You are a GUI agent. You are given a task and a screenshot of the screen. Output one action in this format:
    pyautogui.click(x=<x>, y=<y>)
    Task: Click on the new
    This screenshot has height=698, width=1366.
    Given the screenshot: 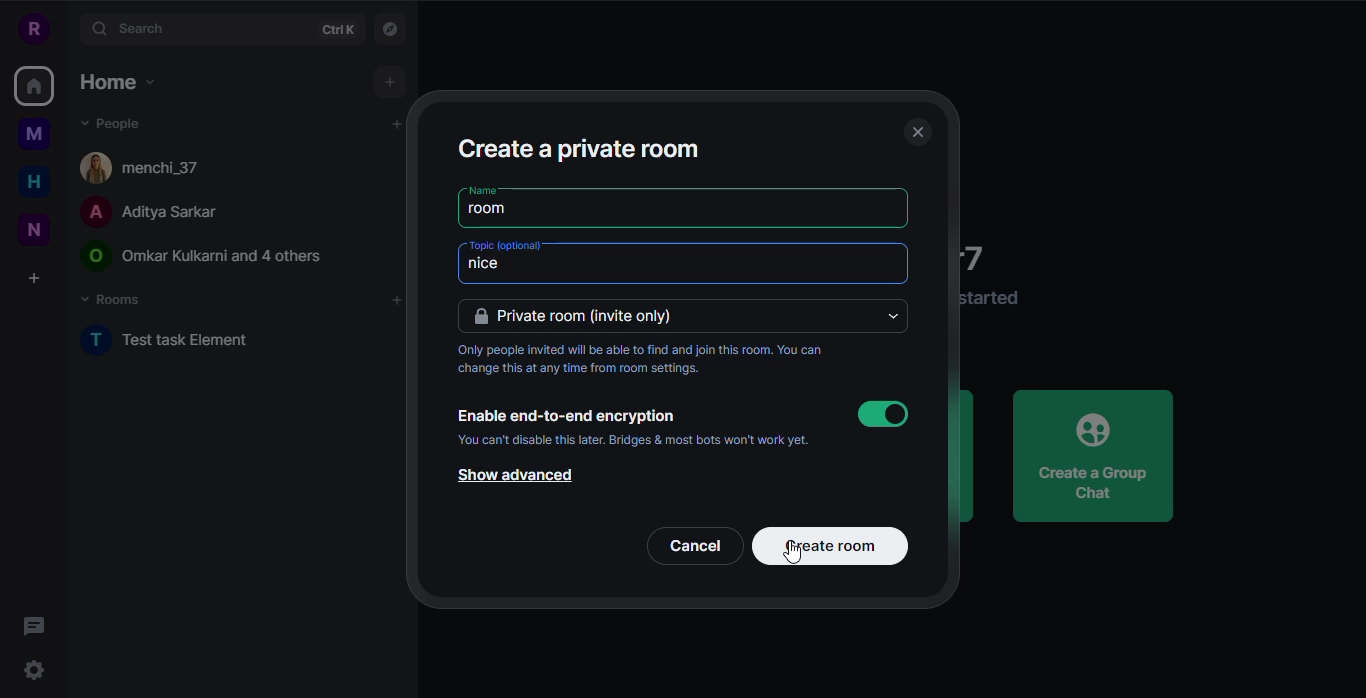 What is the action you would take?
    pyautogui.click(x=35, y=229)
    